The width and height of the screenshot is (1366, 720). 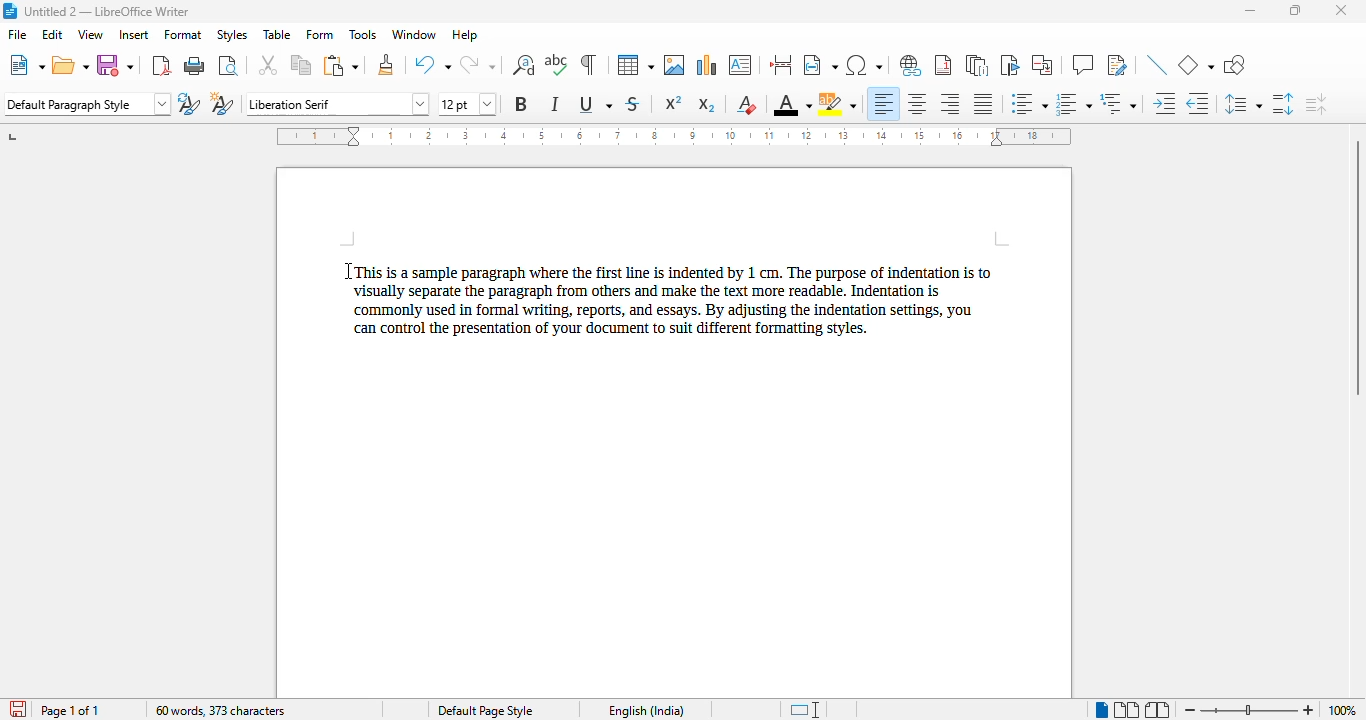 What do you see at coordinates (1340, 10) in the screenshot?
I see `close` at bounding box center [1340, 10].